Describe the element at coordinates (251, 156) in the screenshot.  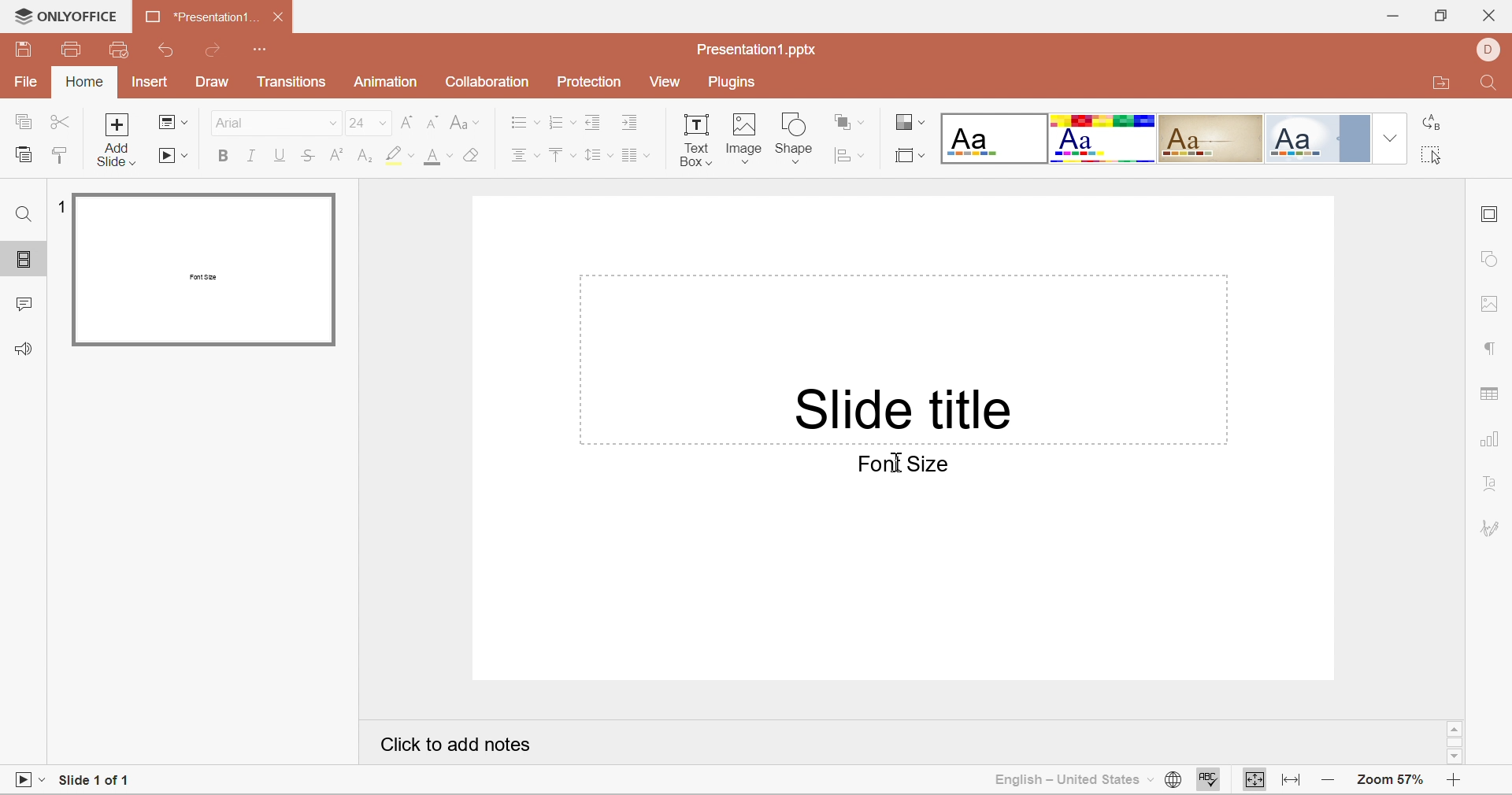
I see `Italic` at that location.